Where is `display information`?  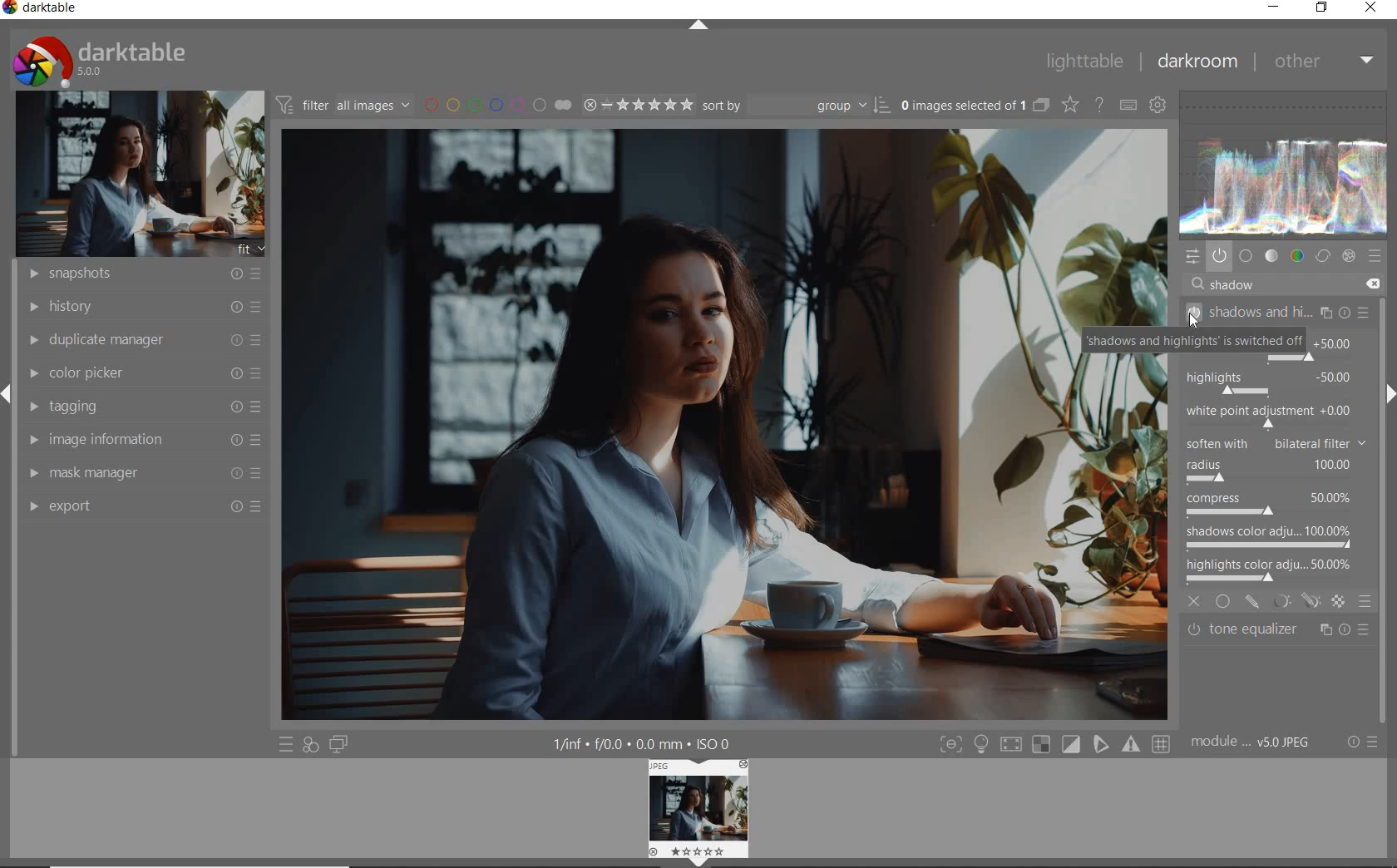
display information is located at coordinates (644, 742).